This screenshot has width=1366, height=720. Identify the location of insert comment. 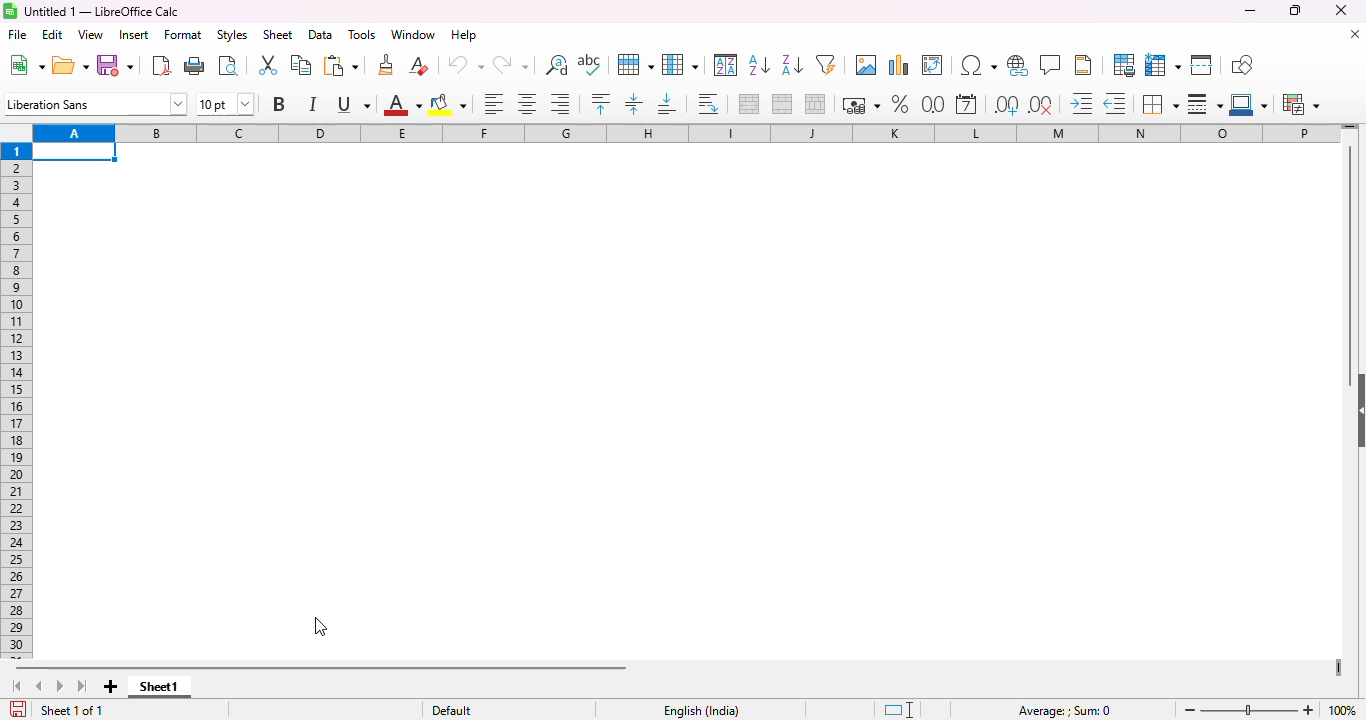
(1050, 65).